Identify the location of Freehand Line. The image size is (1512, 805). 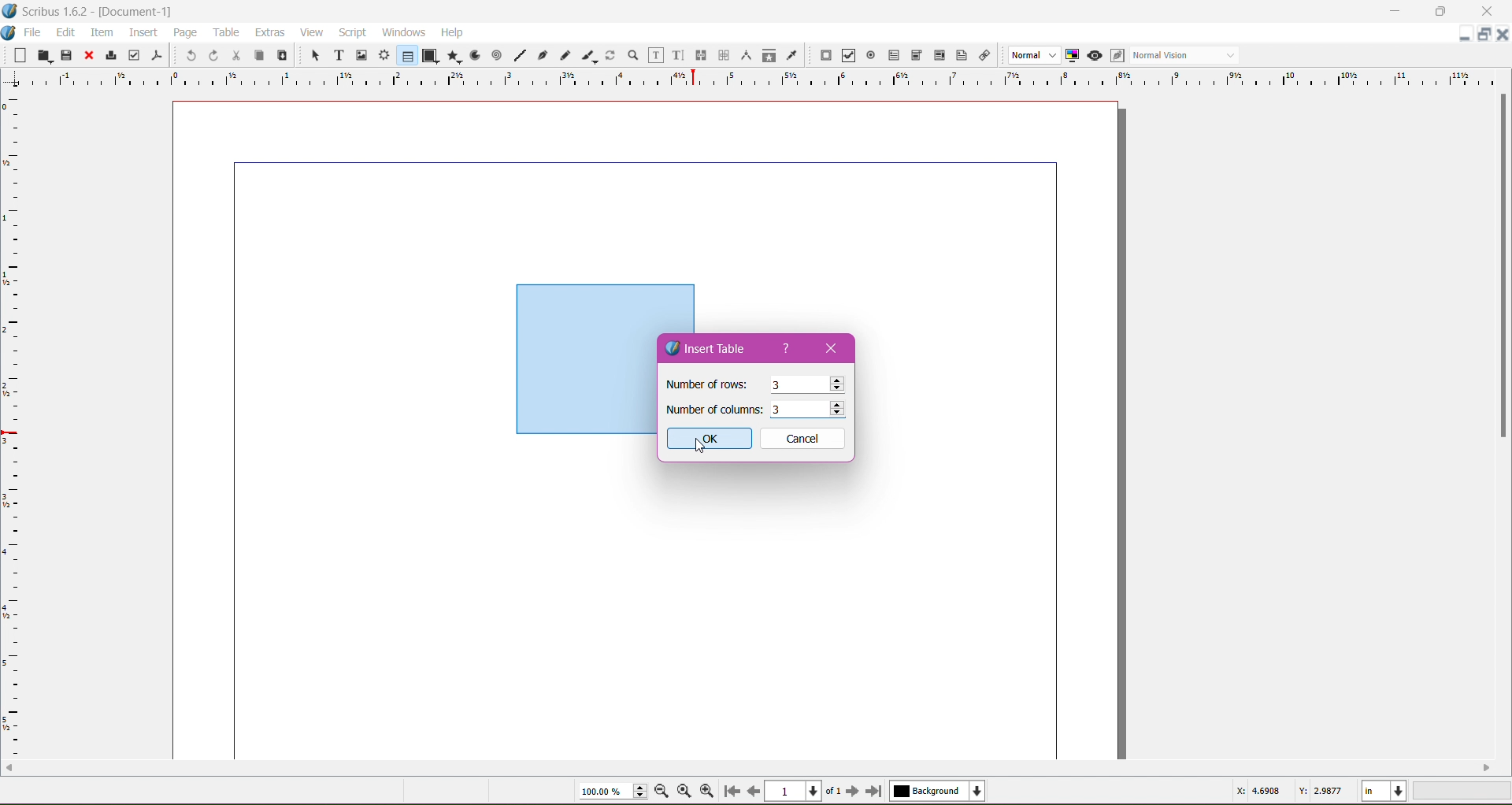
(565, 56).